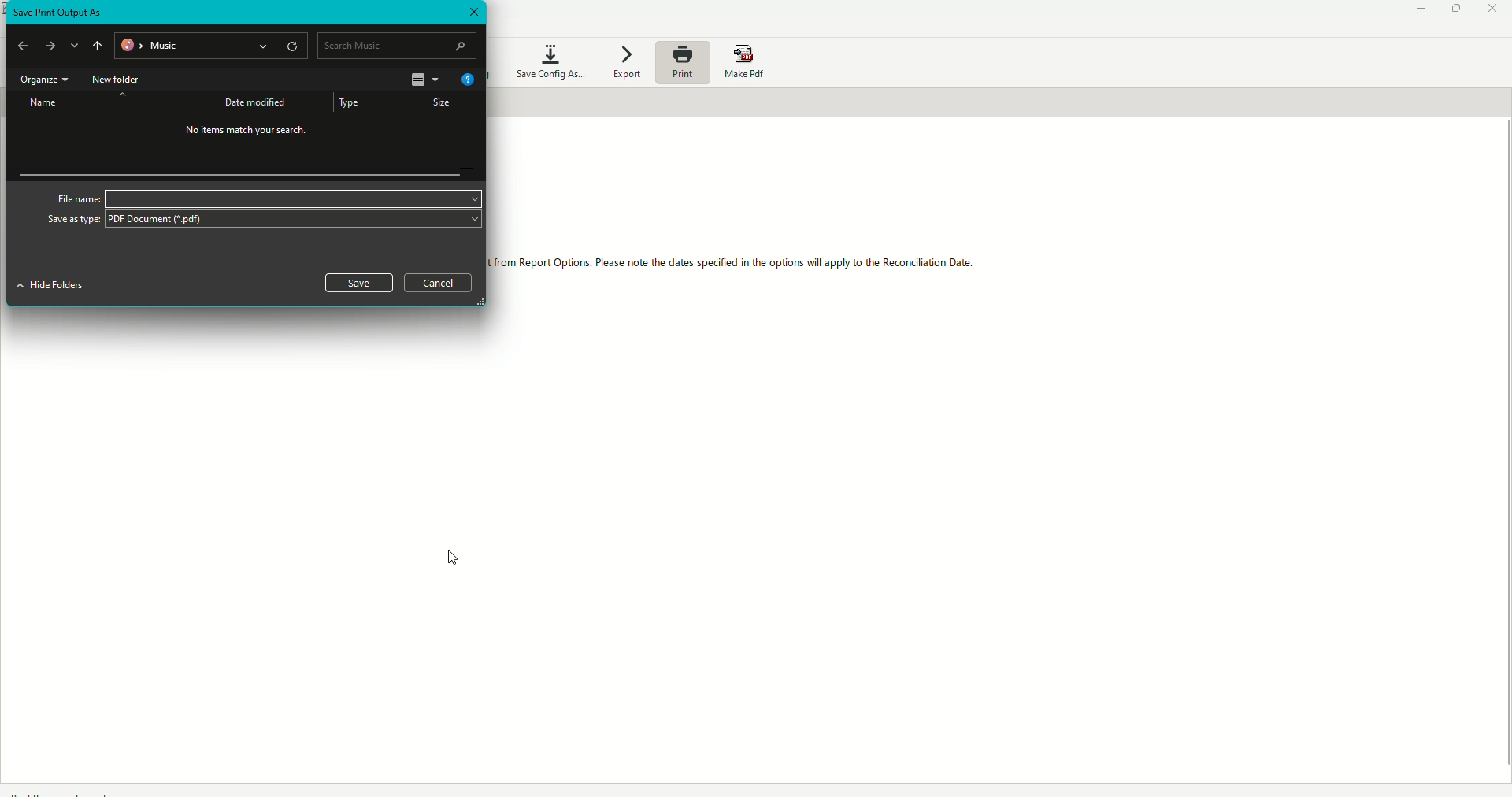 This screenshot has width=1512, height=797. Describe the element at coordinates (396, 44) in the screenshot. I see `Search Bar` at that location.